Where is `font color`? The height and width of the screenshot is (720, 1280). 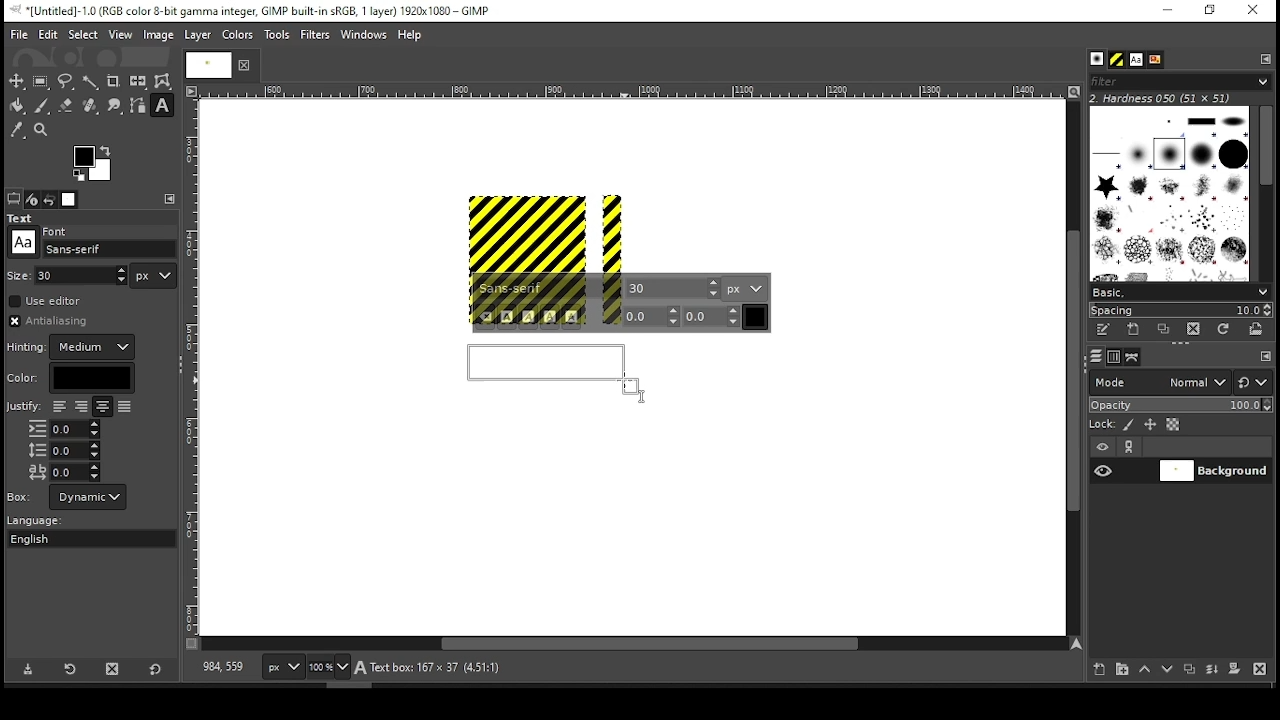
font color is located at coordinates (756, 317).